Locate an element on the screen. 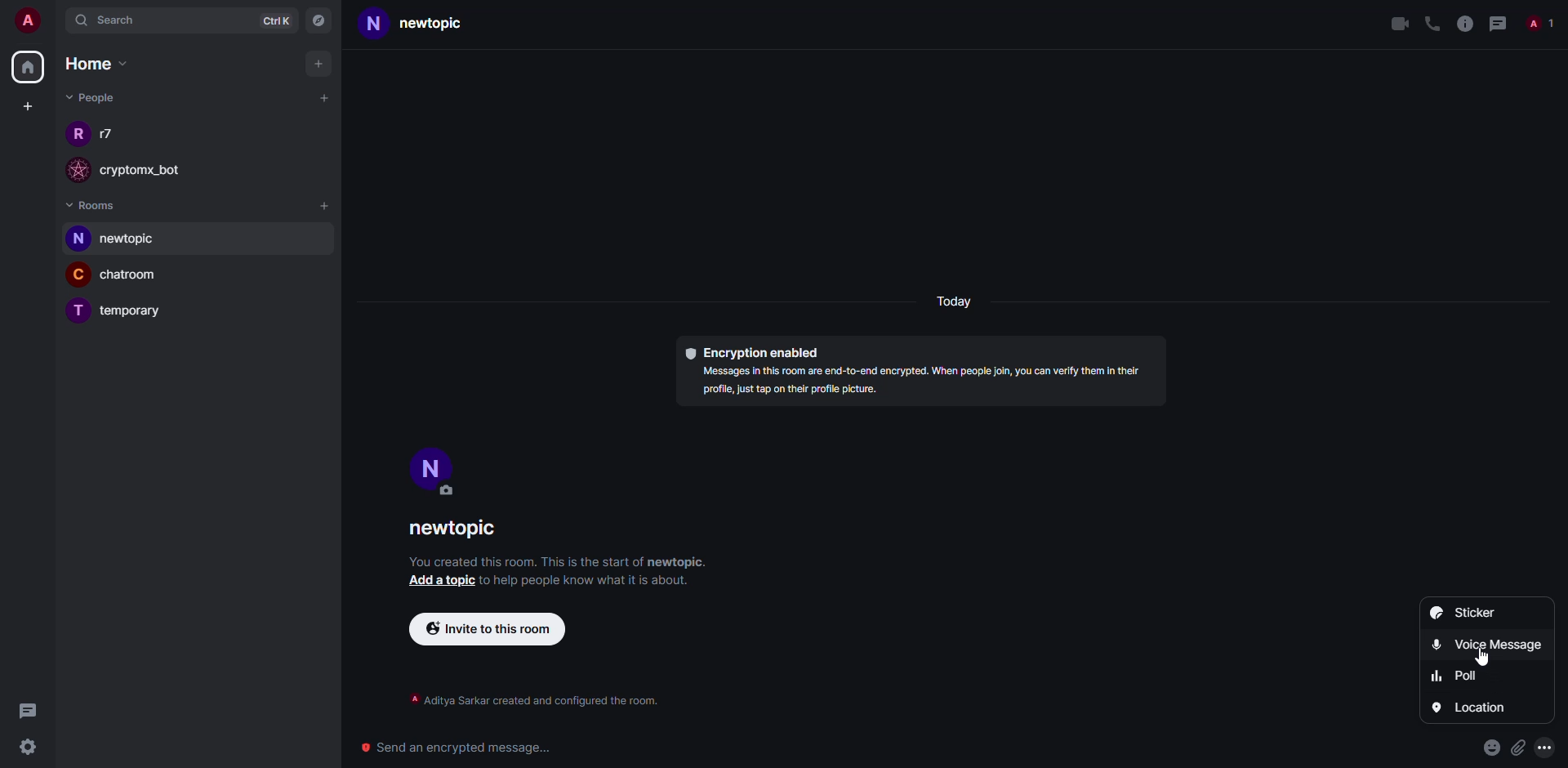  info is located at coordinates (559, 561).